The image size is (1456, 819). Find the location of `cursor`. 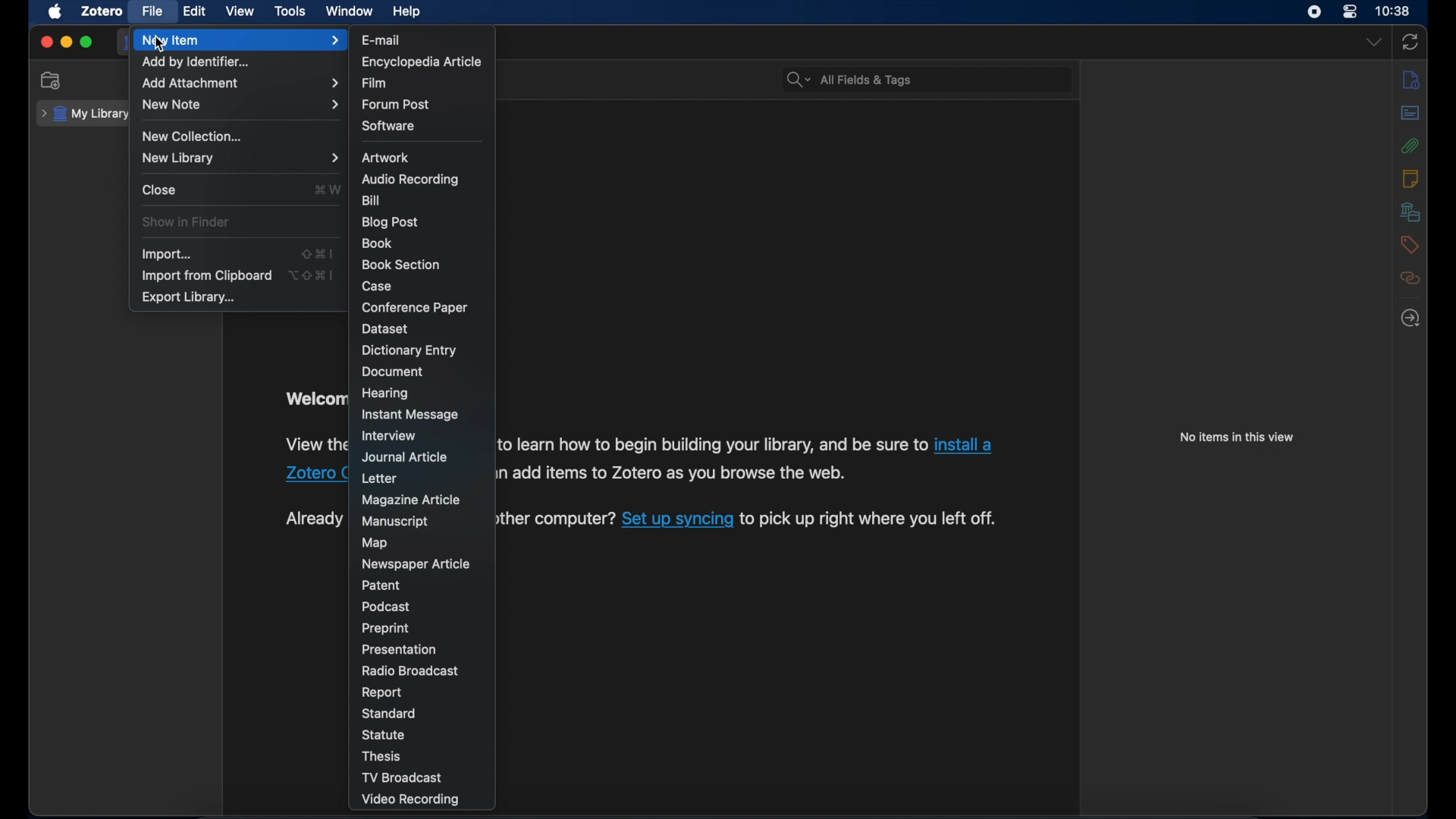

cursor is located at coordinates (162, 42).